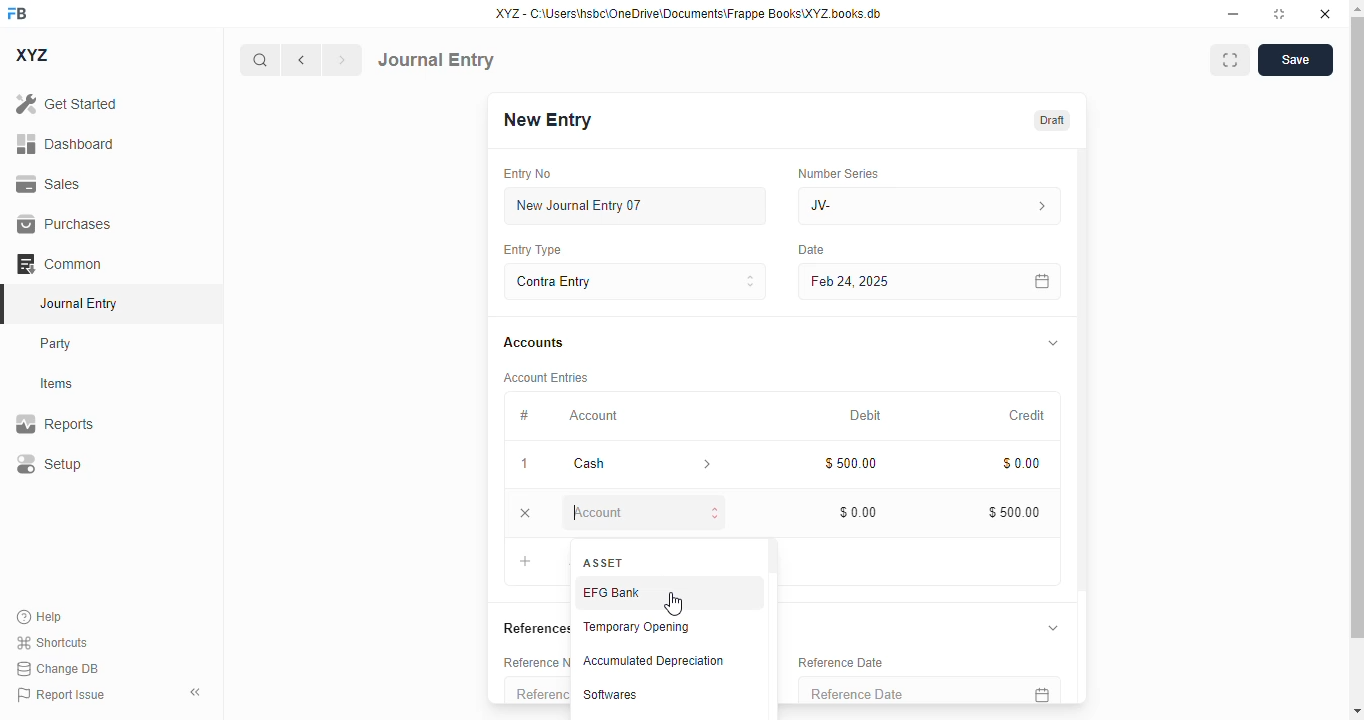 This screenshot has width=1364, height=720. What do you see at coordinates (1087, 425) in the screenshot?
I see `vertical scroll bar` at bounding box center [1087, 425].